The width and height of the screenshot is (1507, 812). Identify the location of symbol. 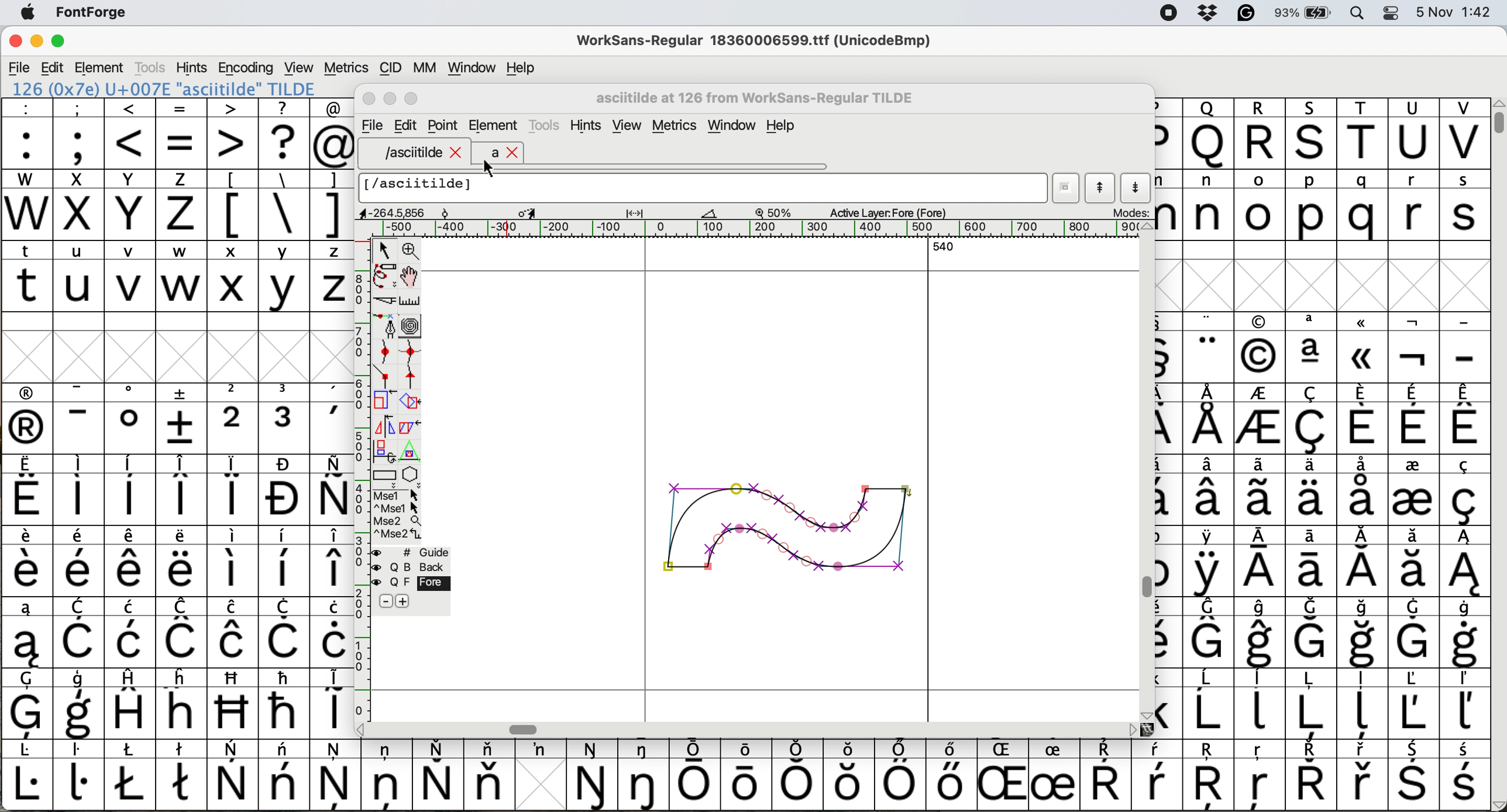
(1364, 562).